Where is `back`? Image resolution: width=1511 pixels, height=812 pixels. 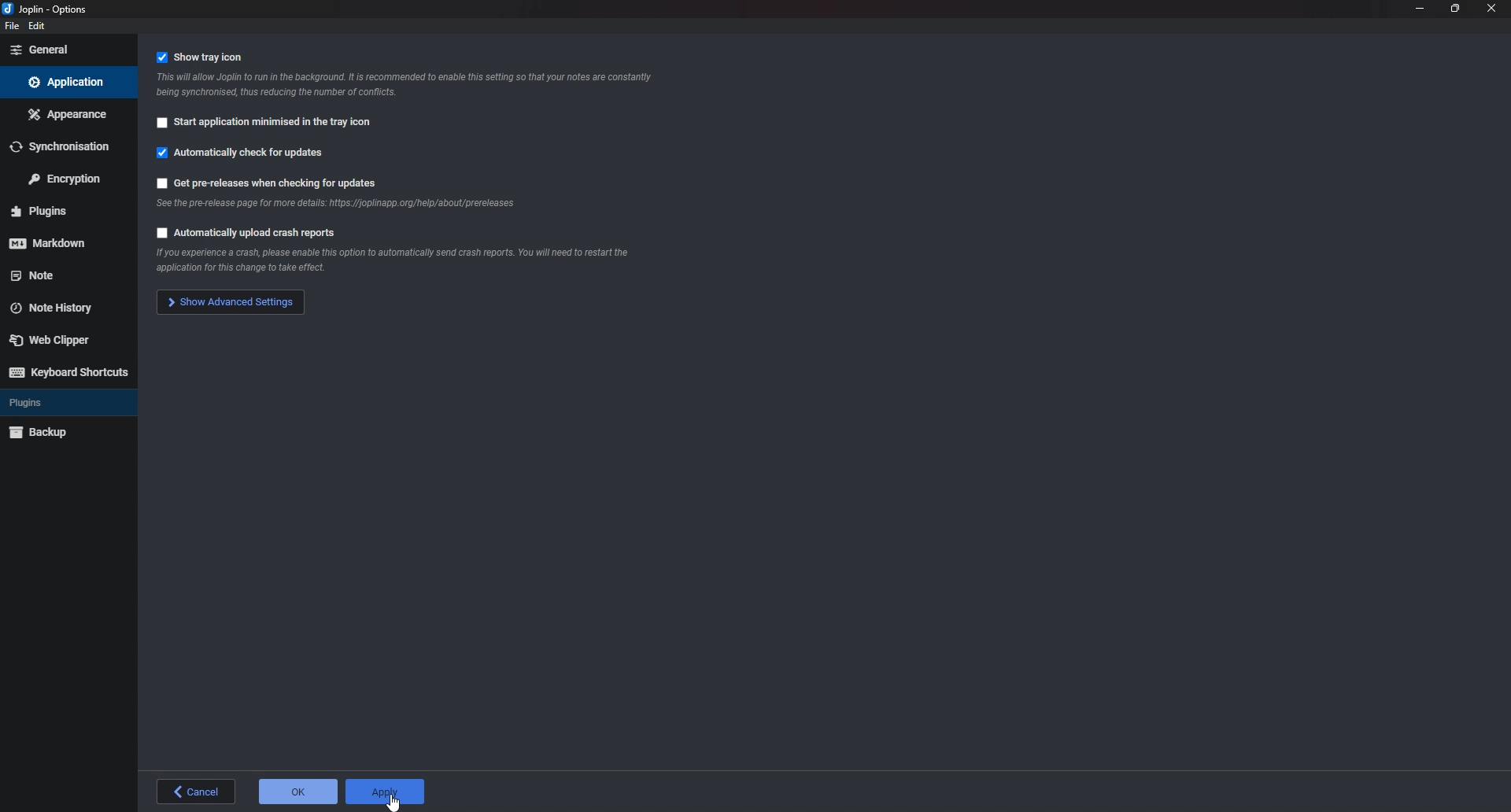 back is located at coordinates (199, 792).